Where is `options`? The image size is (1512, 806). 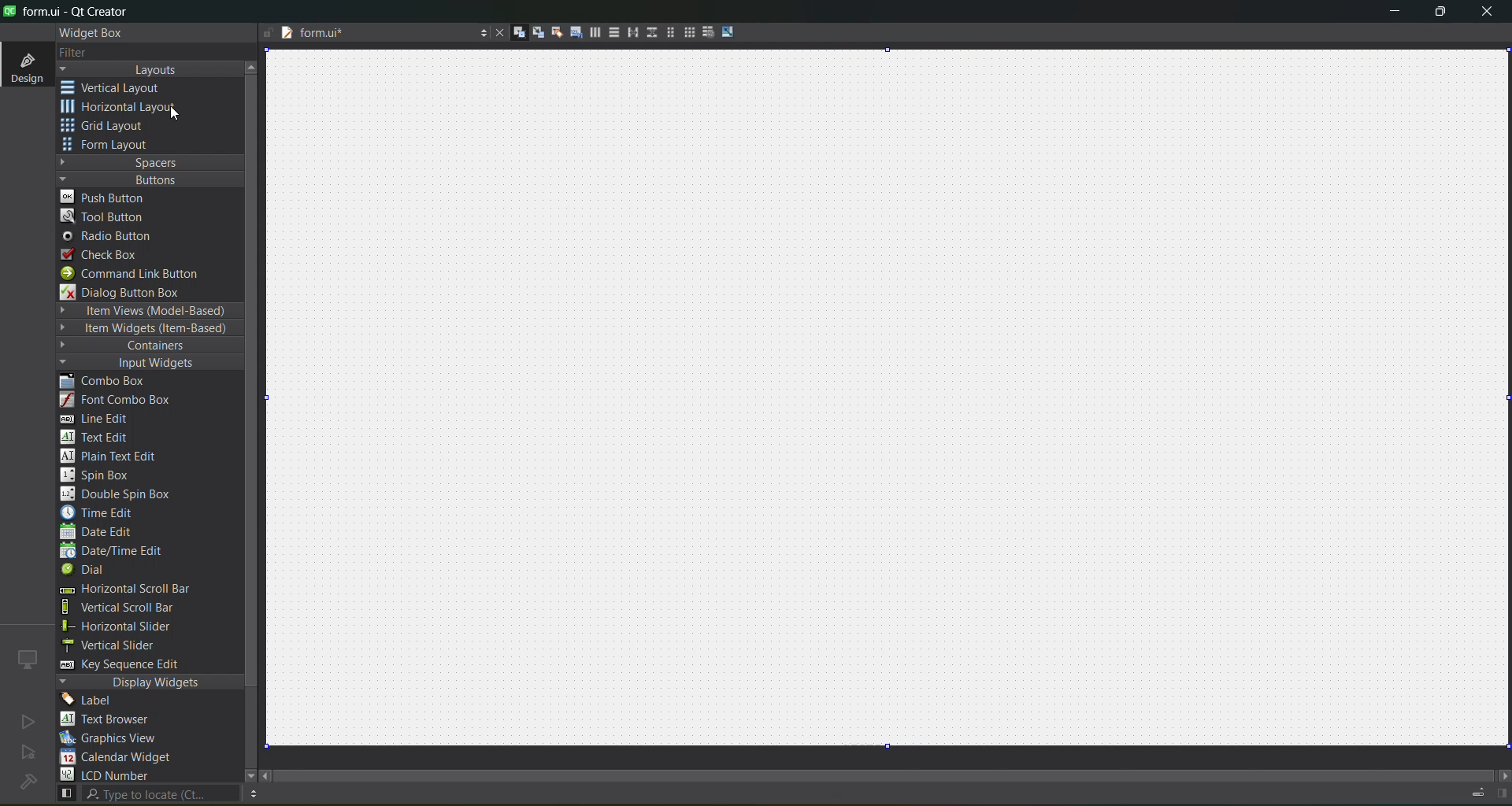 options is located at coordinates (479, 35).